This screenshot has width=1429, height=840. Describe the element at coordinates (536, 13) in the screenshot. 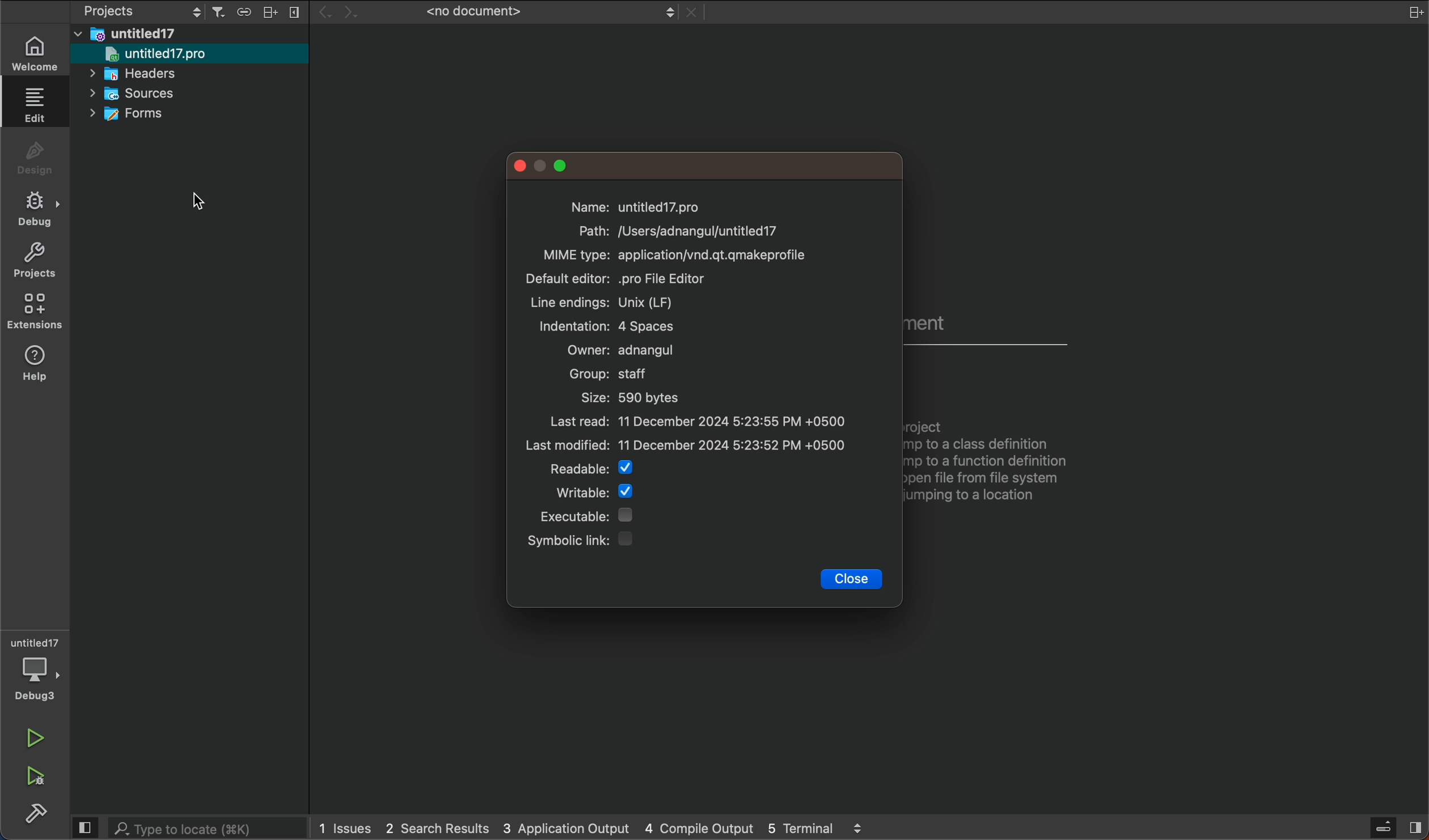

I see `file tab` at that location.